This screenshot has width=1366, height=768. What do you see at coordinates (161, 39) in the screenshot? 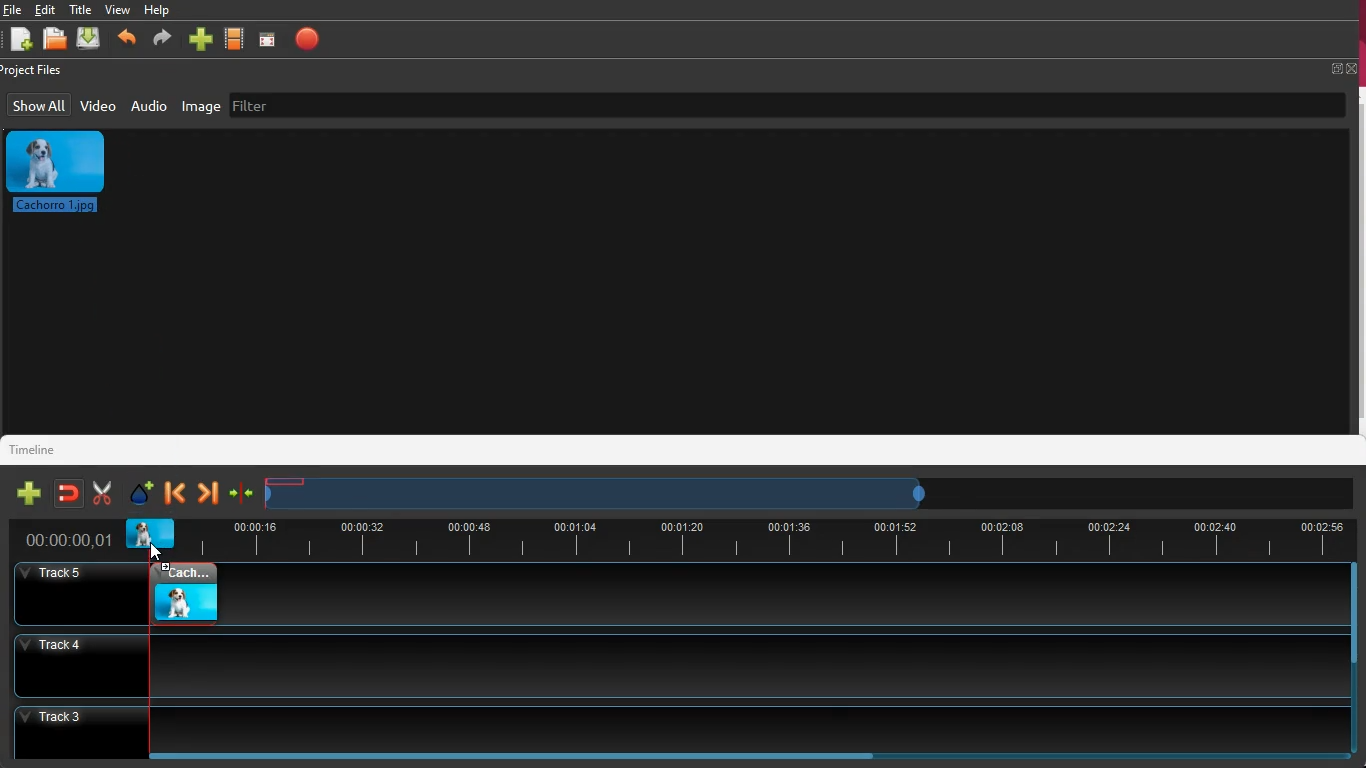
I see `forward` at bounding box center [161, 39].